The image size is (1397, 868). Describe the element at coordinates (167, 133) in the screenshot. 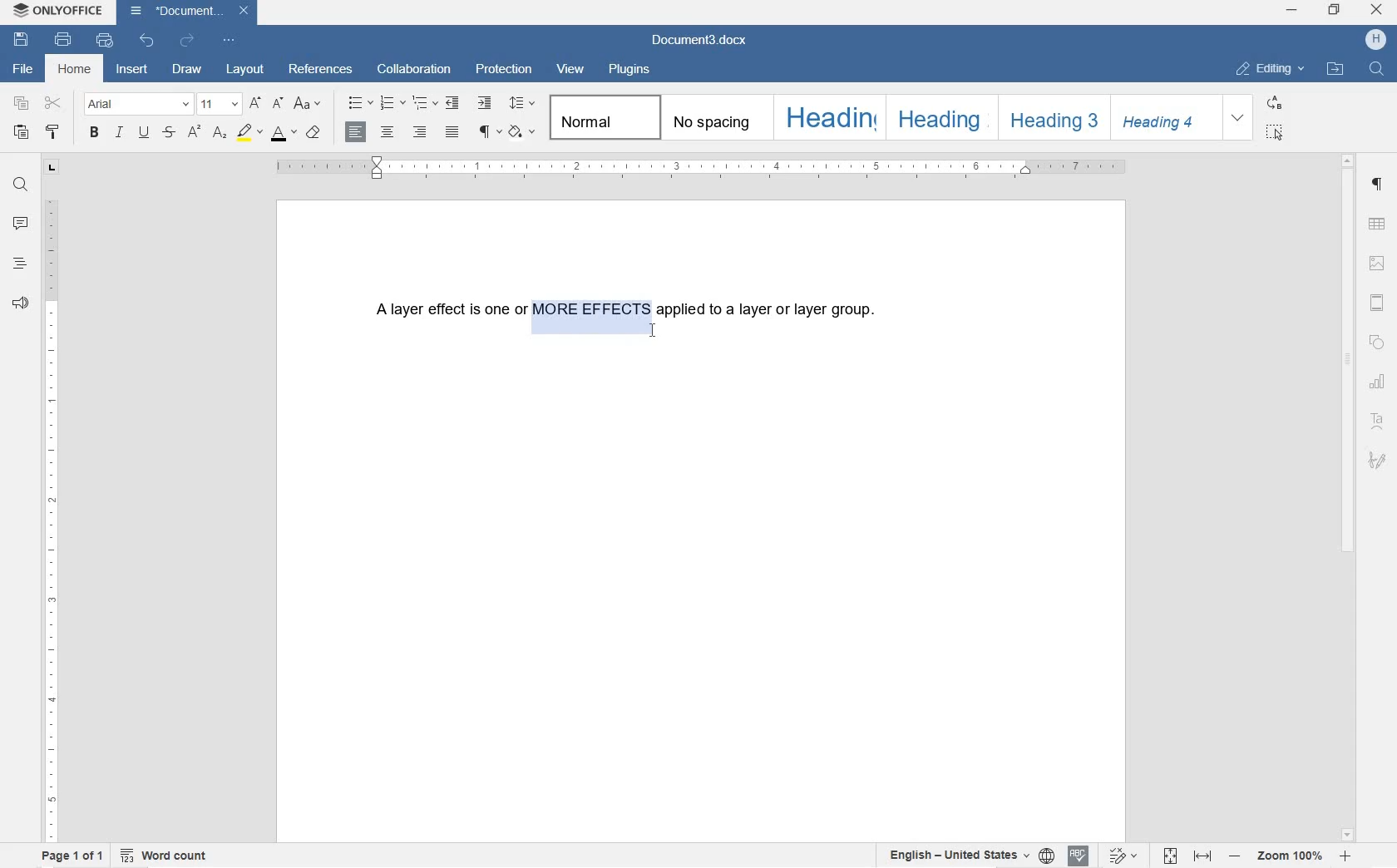

I see `STRIKETHROUGH` at that location.